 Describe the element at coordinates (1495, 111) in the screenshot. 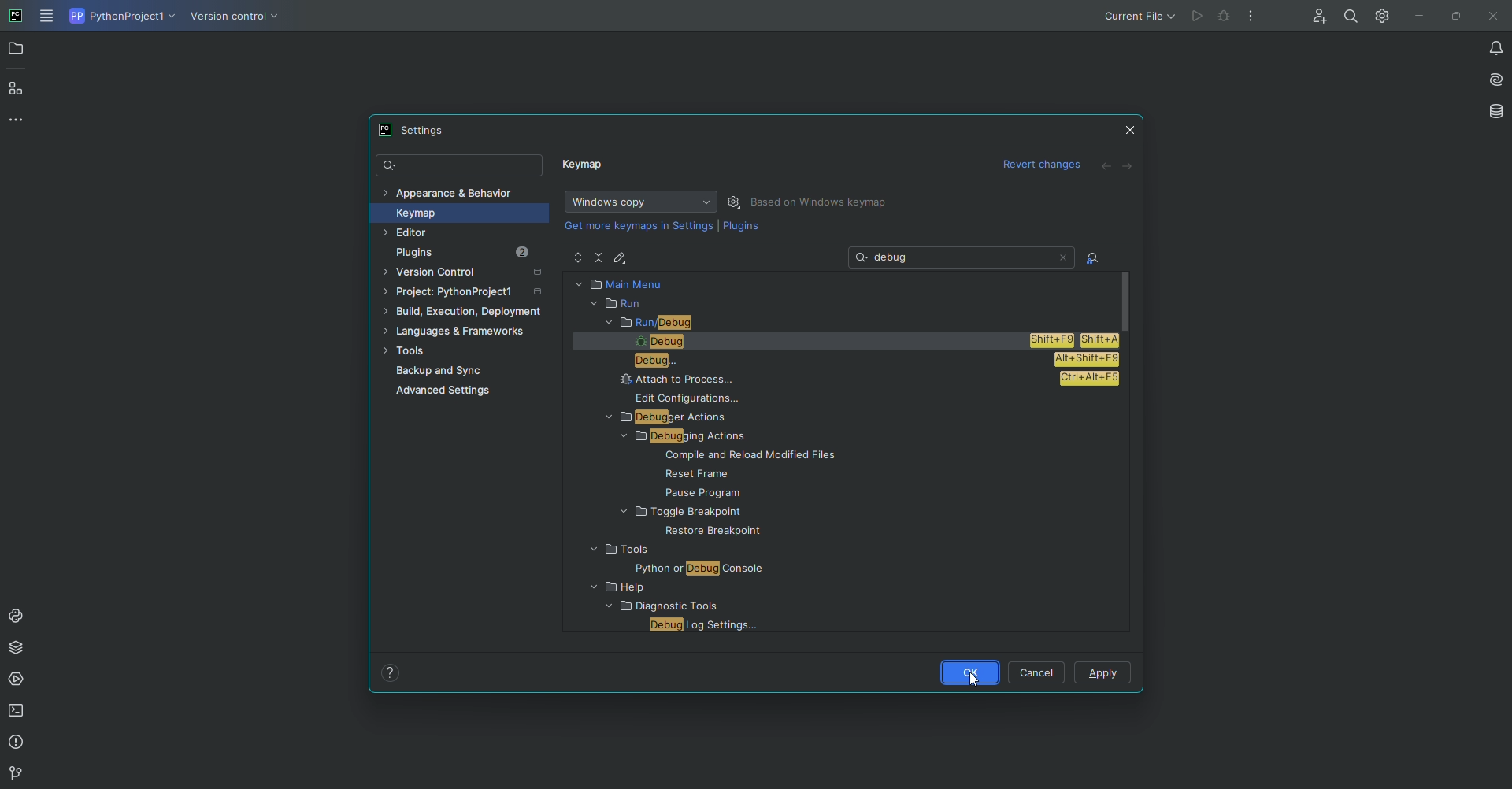

I see `Database` at that location.